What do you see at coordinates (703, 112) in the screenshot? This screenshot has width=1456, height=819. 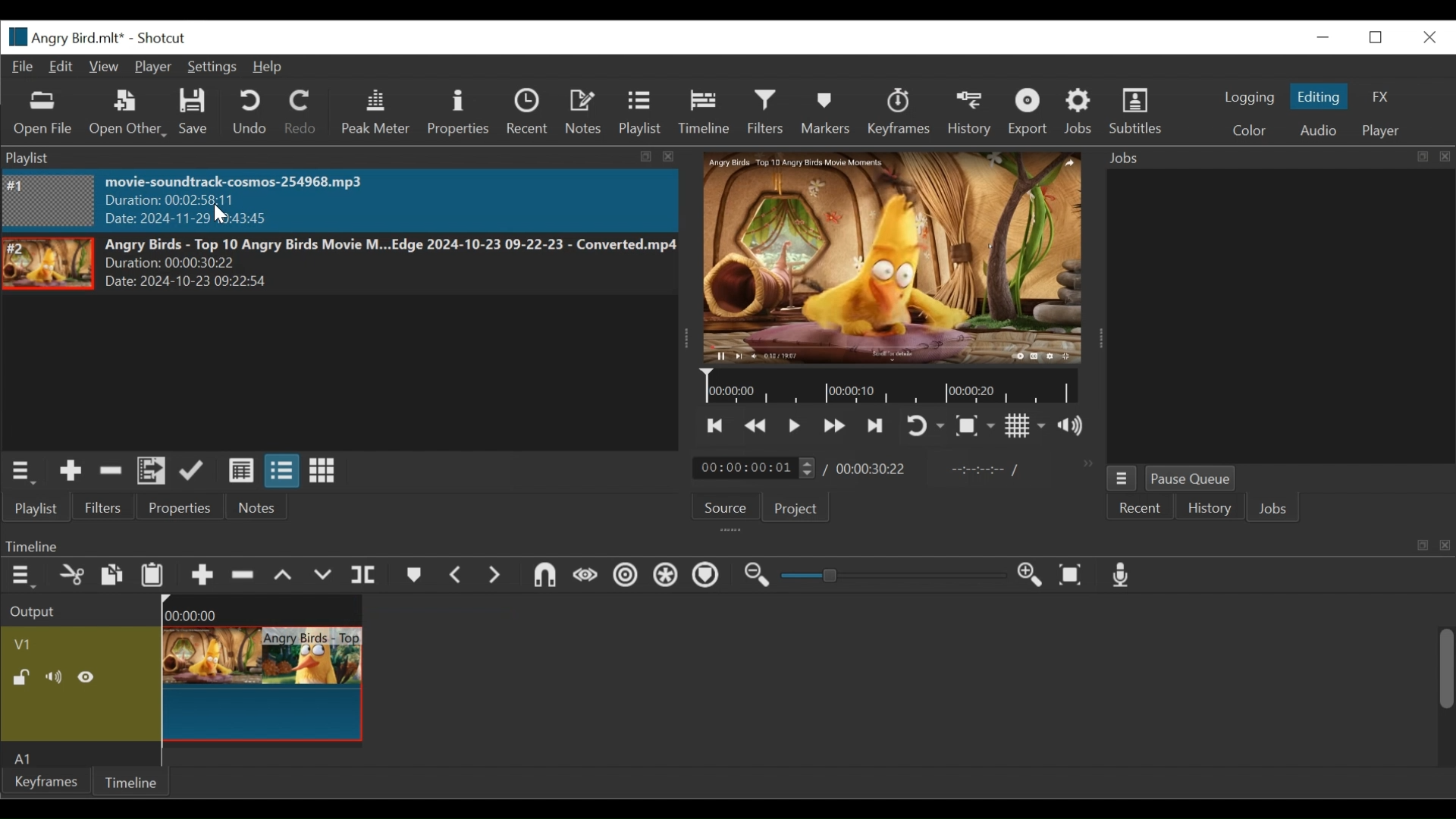 I see `Timeline` at bounding box center [703, 112].